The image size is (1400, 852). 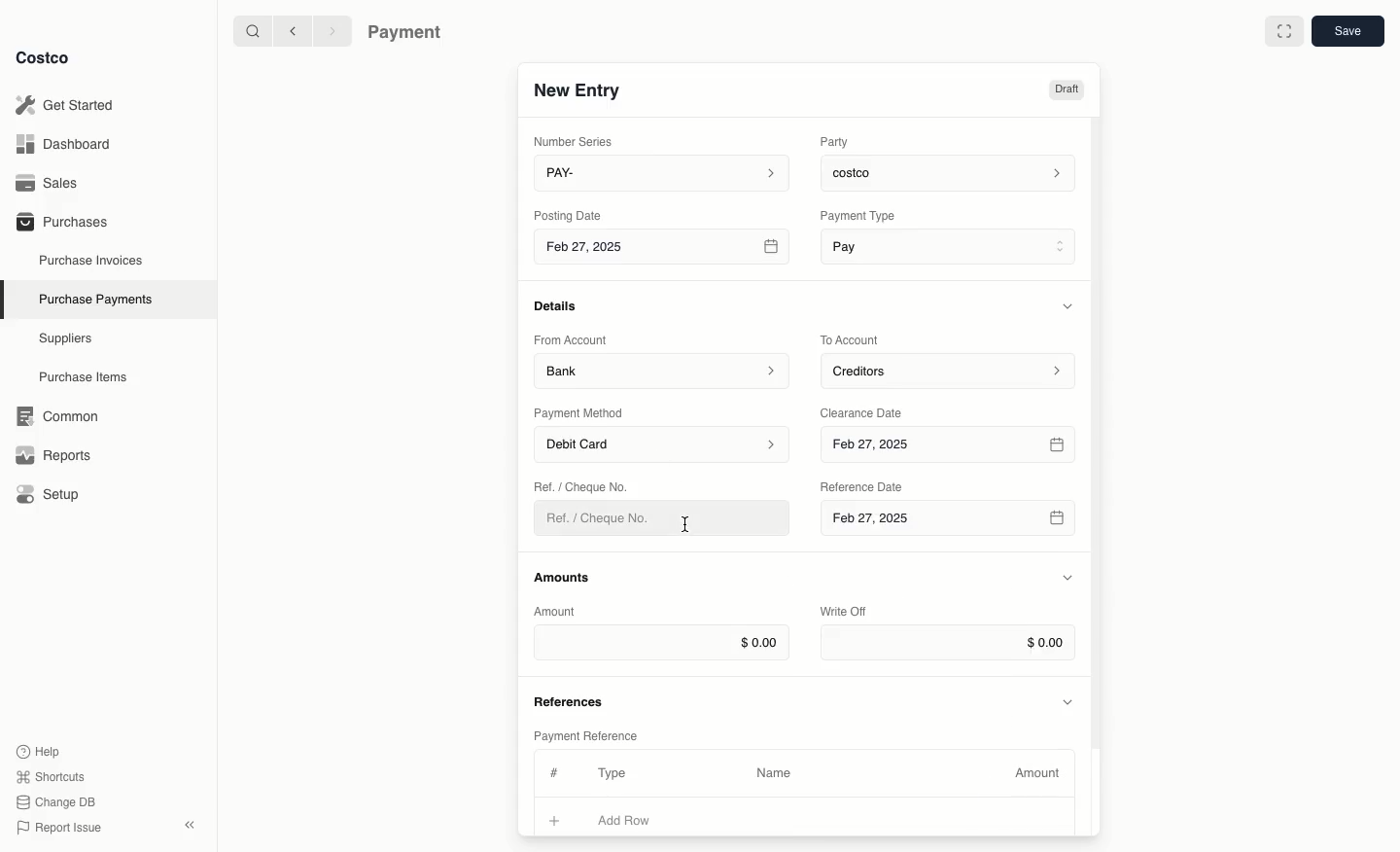 What do you see at coordinates (50, 775) in the screenshot?
I see `Shortcuts` at bounding box center [50, 775].